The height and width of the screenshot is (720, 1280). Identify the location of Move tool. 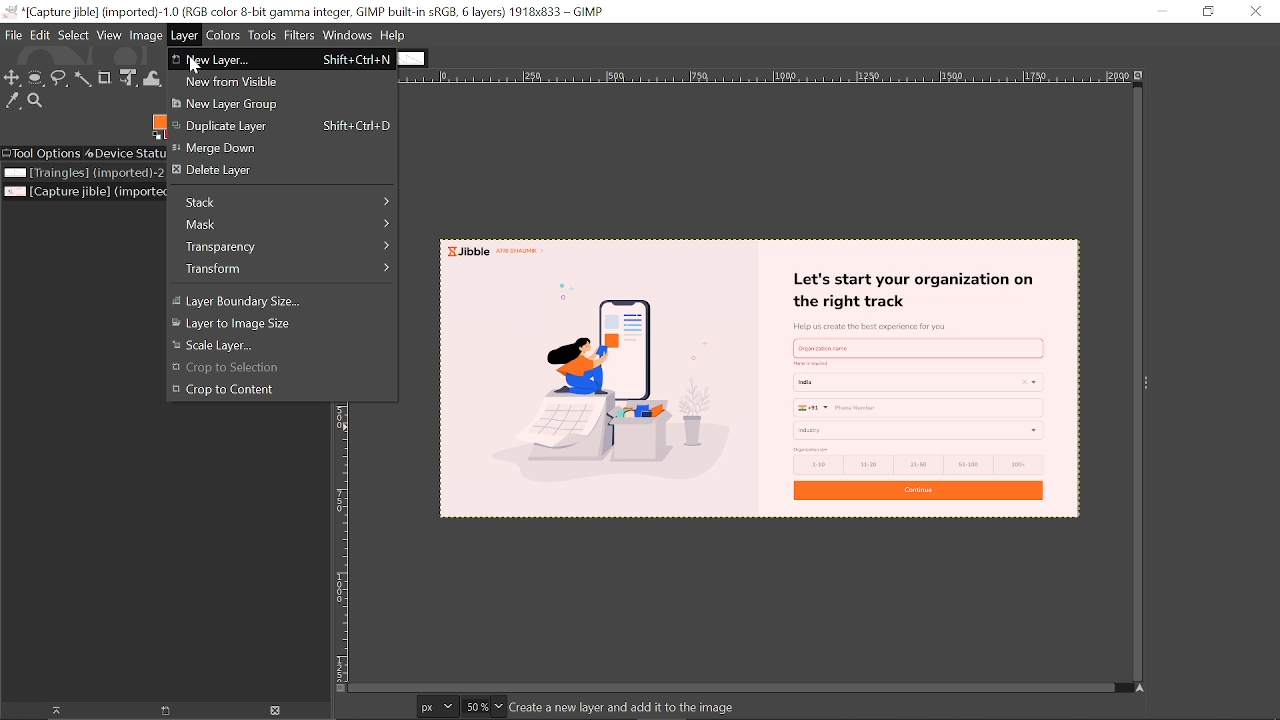
(13, 78).